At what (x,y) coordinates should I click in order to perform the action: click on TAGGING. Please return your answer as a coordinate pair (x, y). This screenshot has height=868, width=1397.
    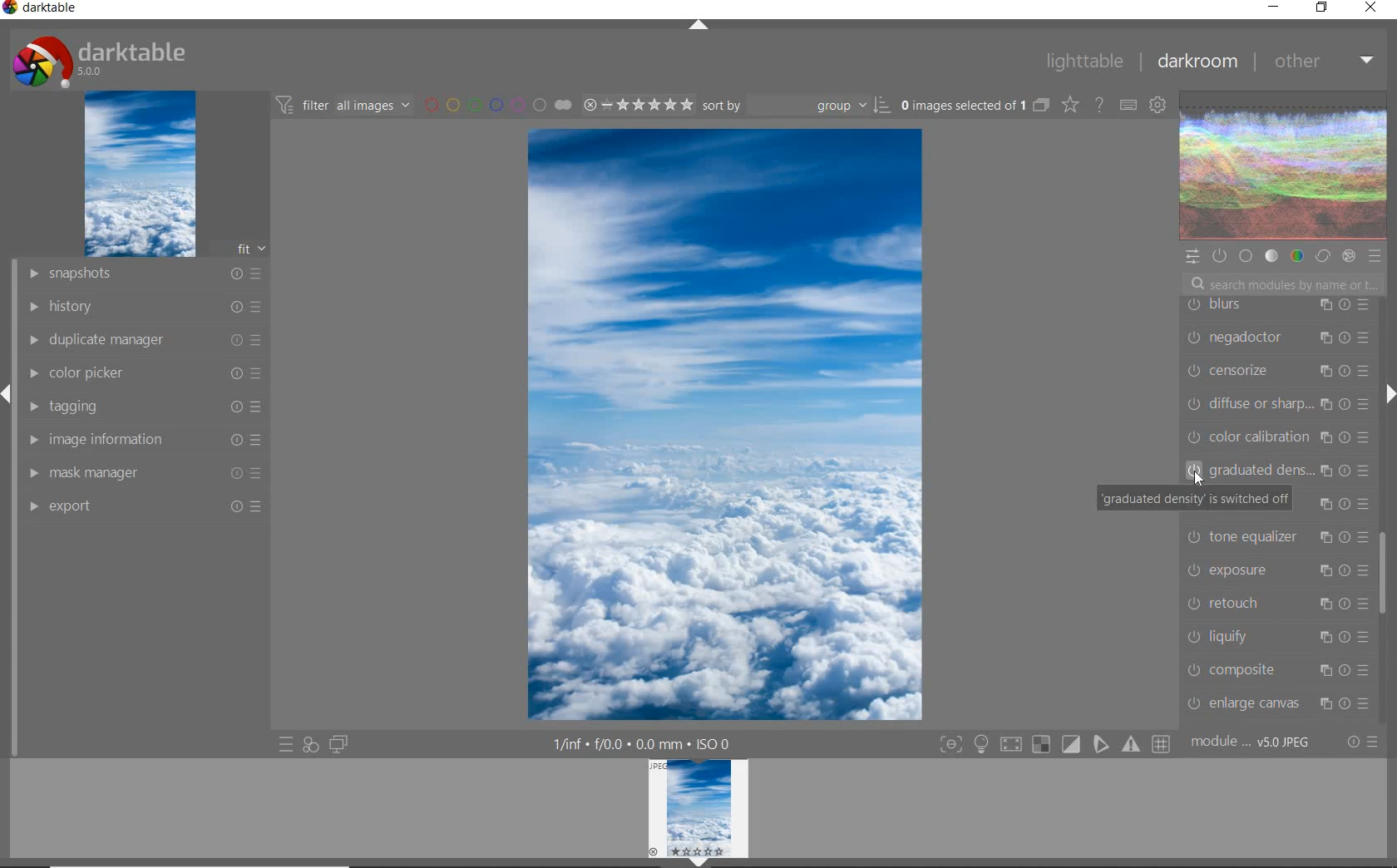
    Looking at the image, I should click on (148, 406).